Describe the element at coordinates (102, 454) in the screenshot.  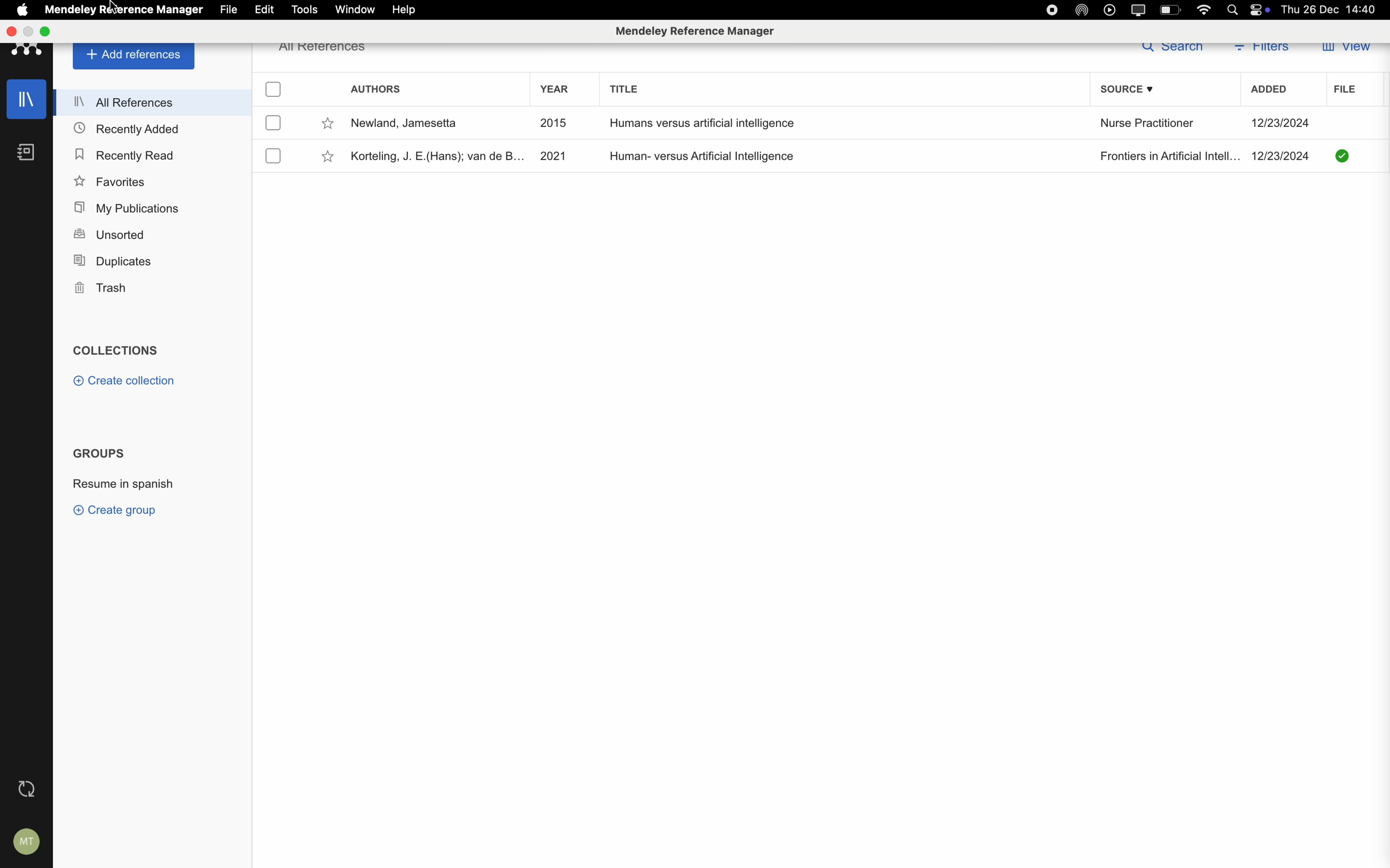
I see `groups` at that location.